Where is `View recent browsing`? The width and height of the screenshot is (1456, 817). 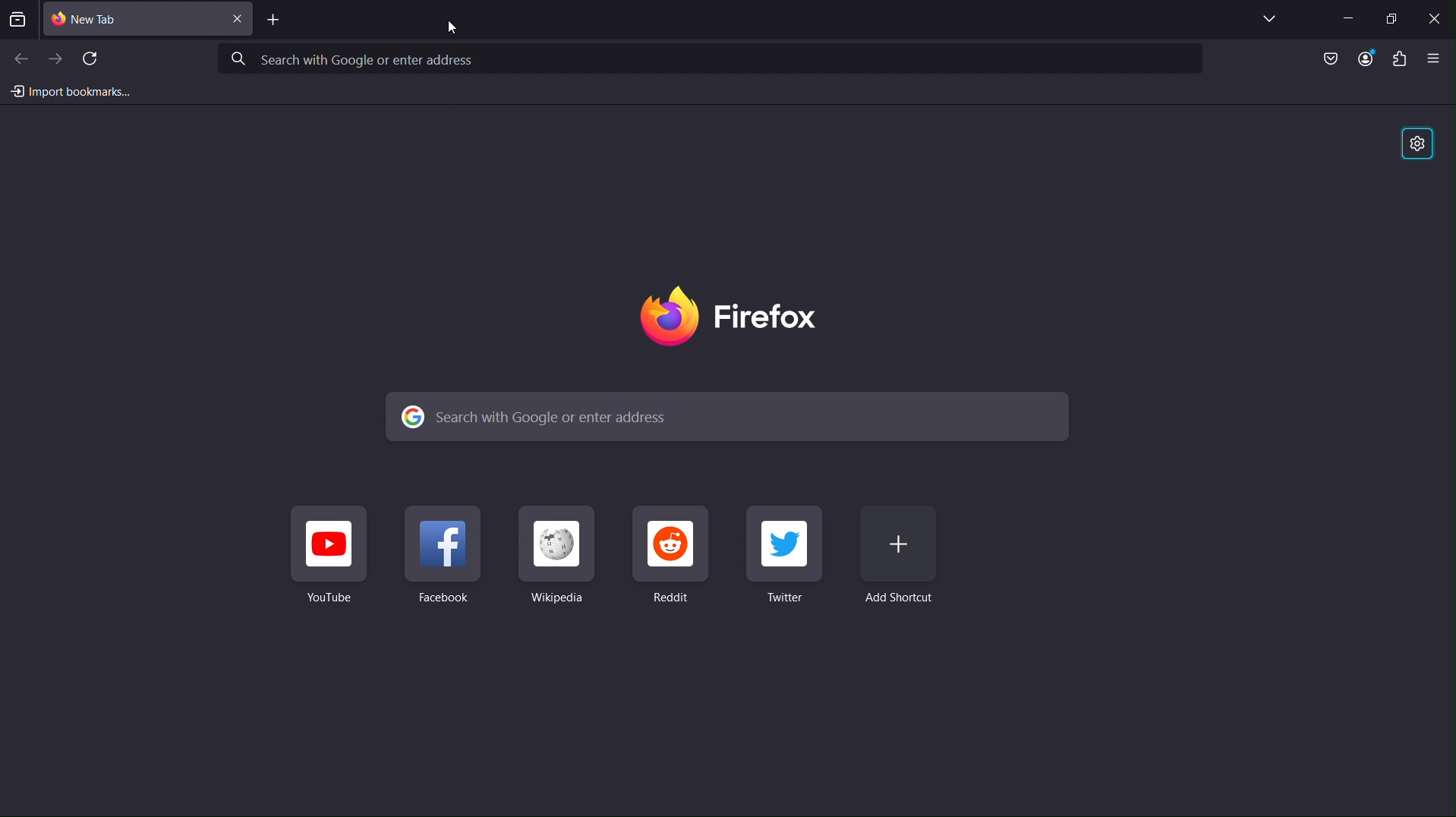
View recent browsing is located at coordinates (18, 17).